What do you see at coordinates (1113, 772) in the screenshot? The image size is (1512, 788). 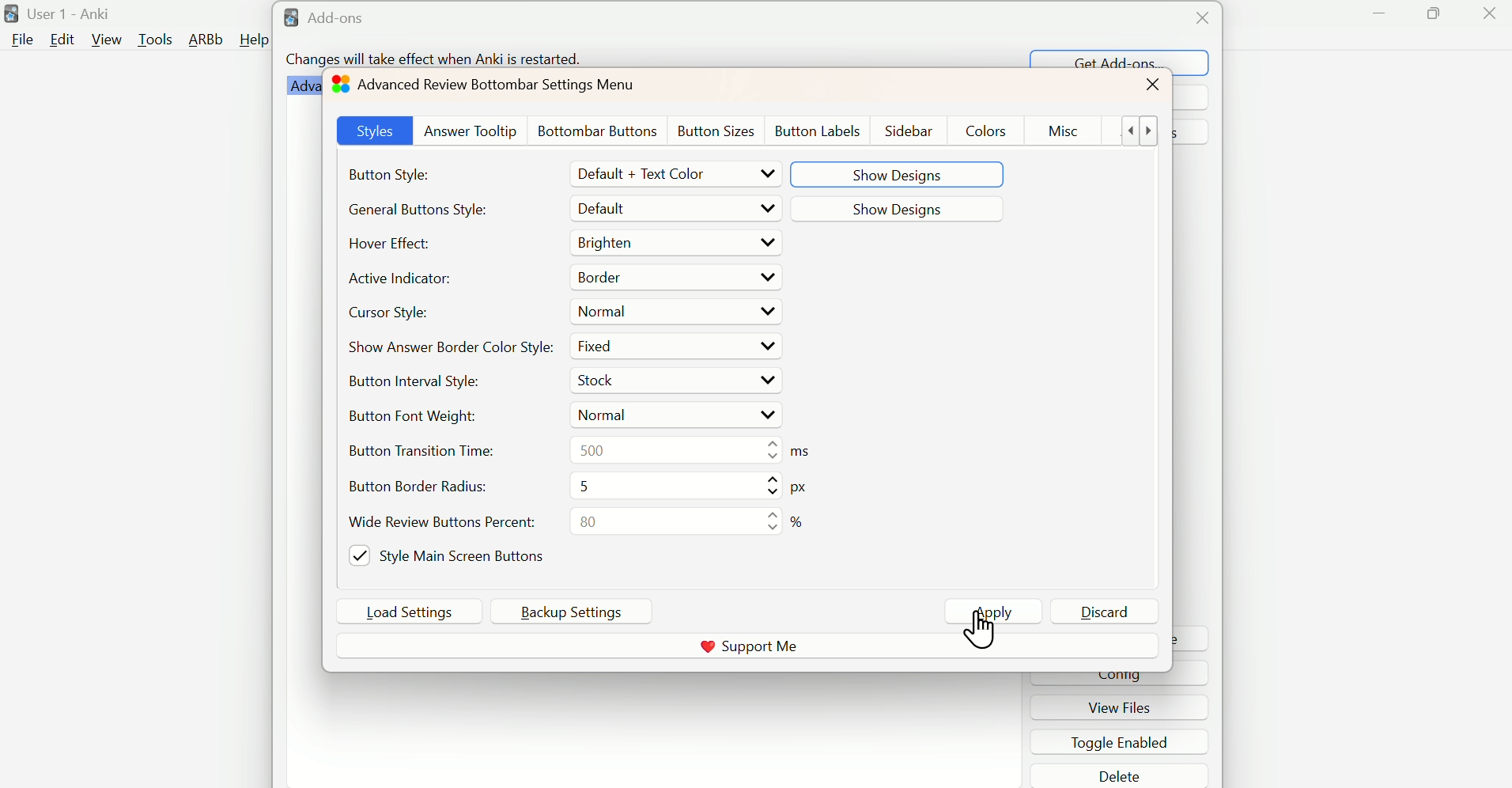 I see `delete` at bounding box center [1113, 772].